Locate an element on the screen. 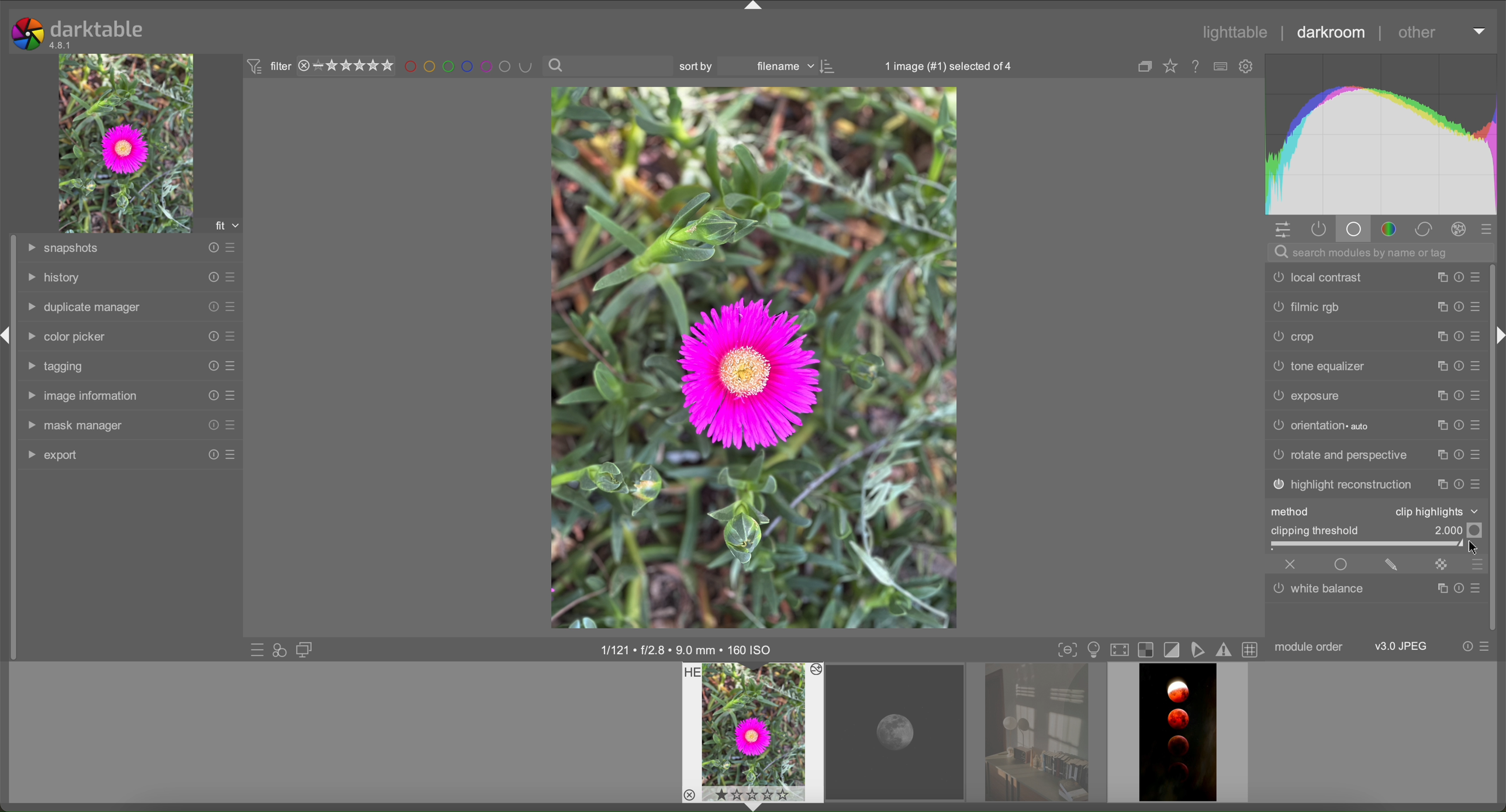 The height and width of the screenshot is (812, 1506). presets is located at coordinates (1478, 564).